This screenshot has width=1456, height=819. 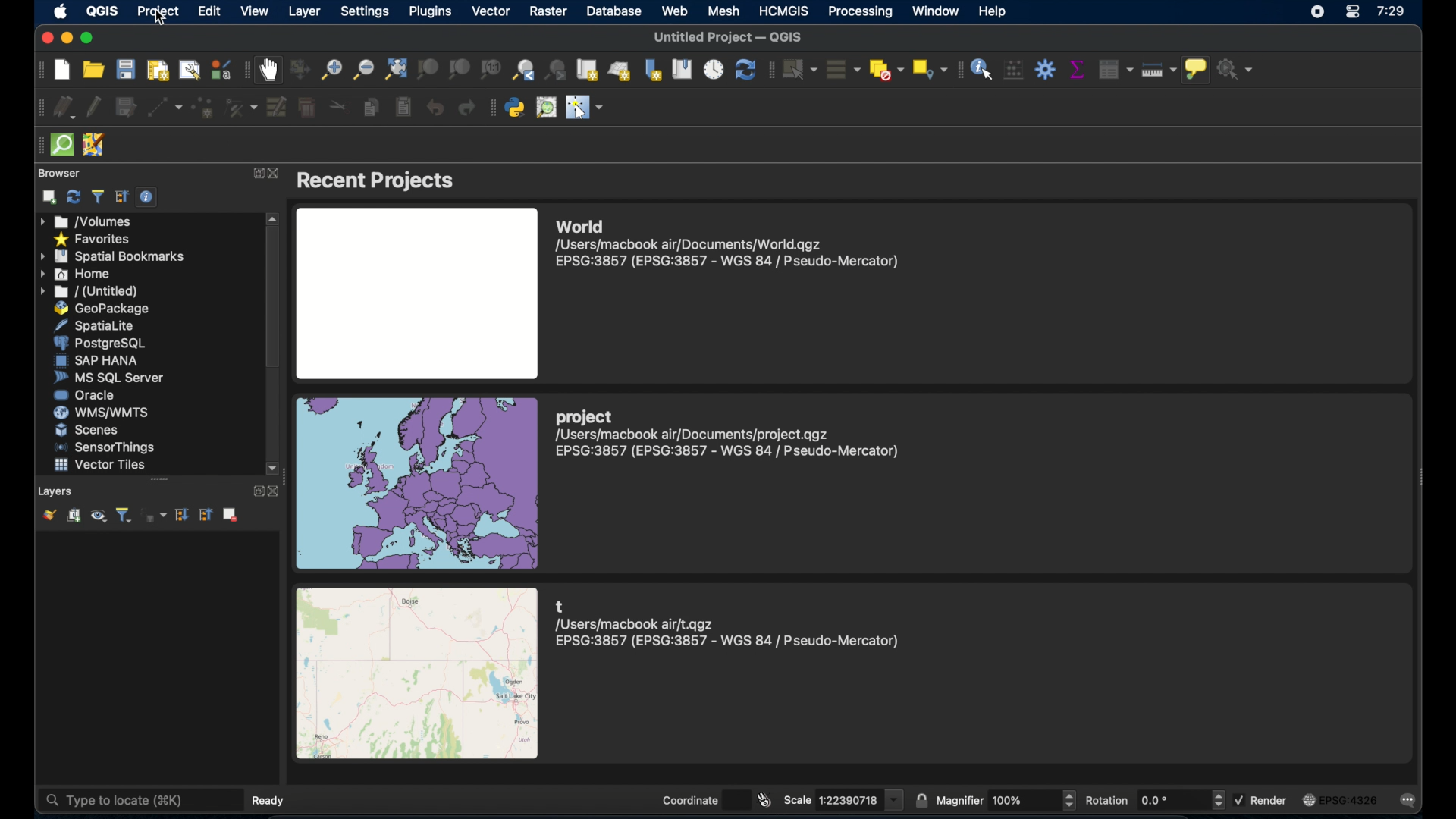 What do you see at coordinates (557, 69) in the screenshot?
I see `zoom last` at bounding box center [557, 69].